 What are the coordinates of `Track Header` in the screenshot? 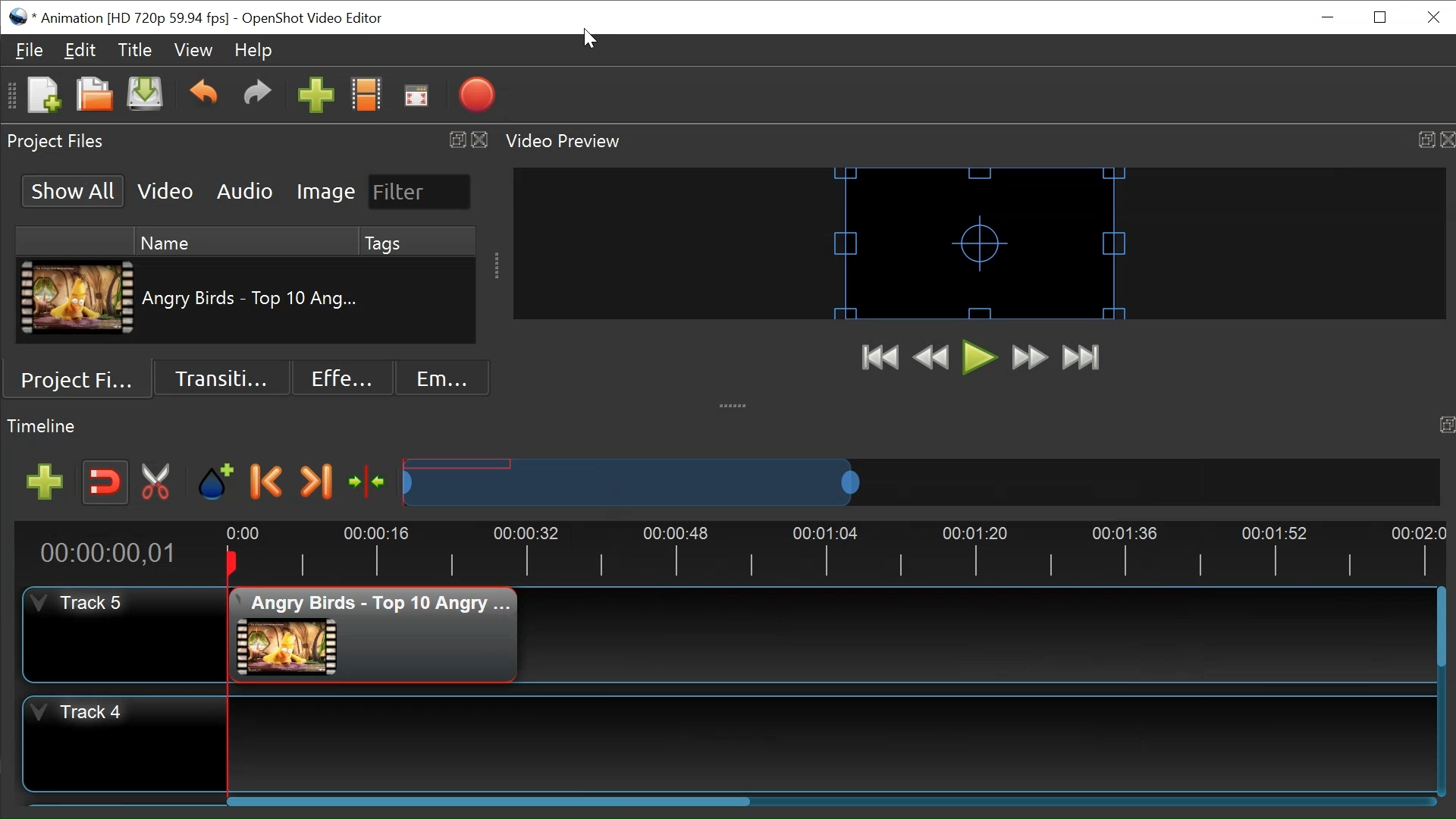 It's located at (121, 744).